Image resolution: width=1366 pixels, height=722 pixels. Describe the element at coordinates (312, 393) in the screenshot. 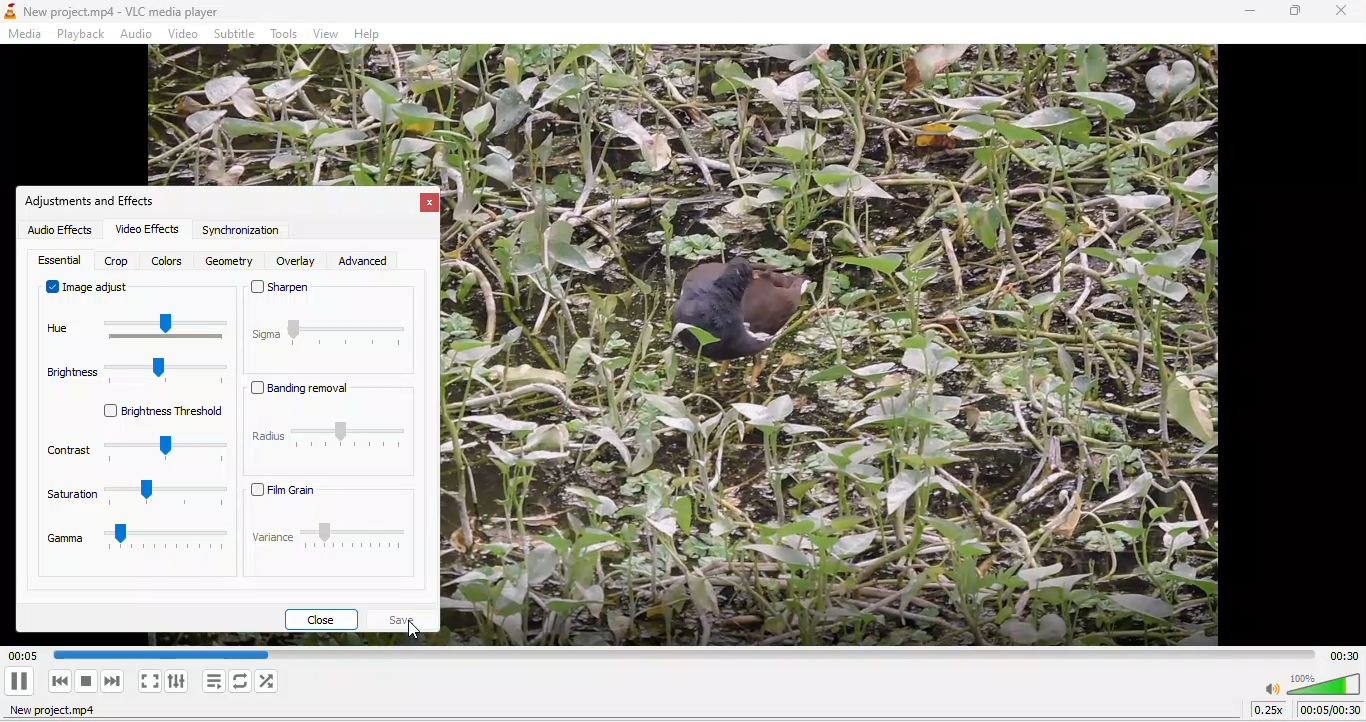

I see `banding removal` at that location.